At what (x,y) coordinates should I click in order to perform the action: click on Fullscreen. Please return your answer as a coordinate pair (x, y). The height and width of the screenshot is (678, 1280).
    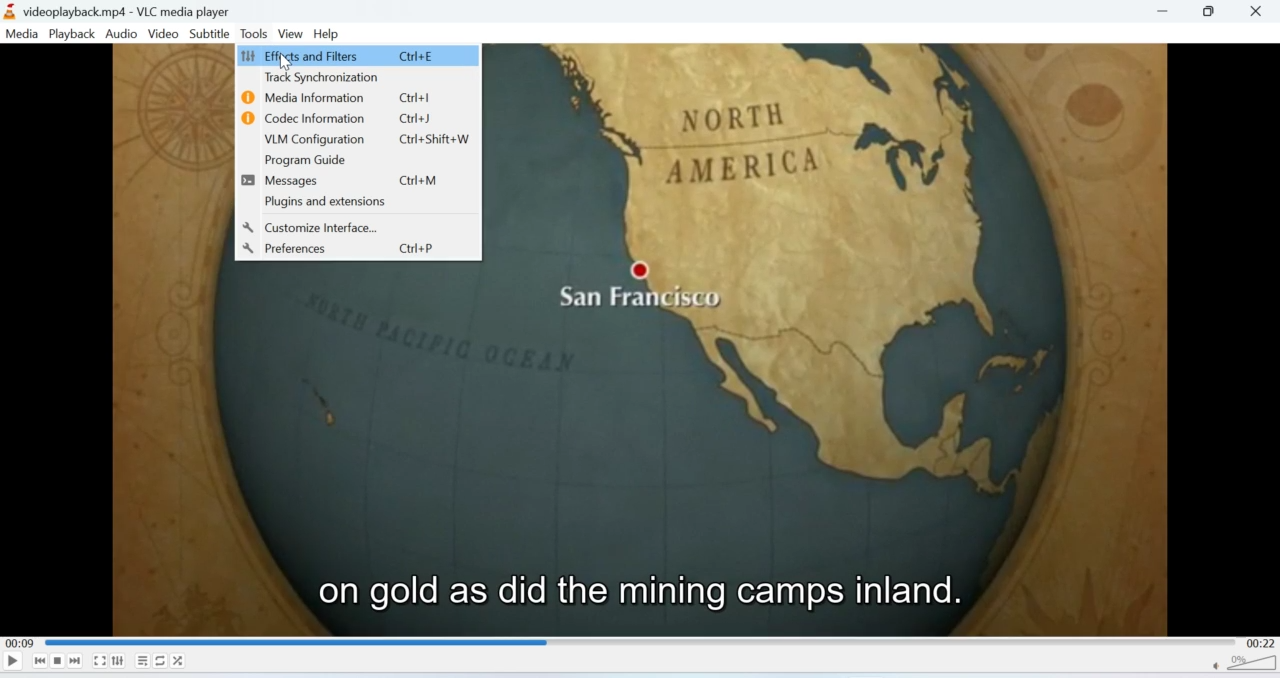
    Looking at the image, I should click on (100, 662).